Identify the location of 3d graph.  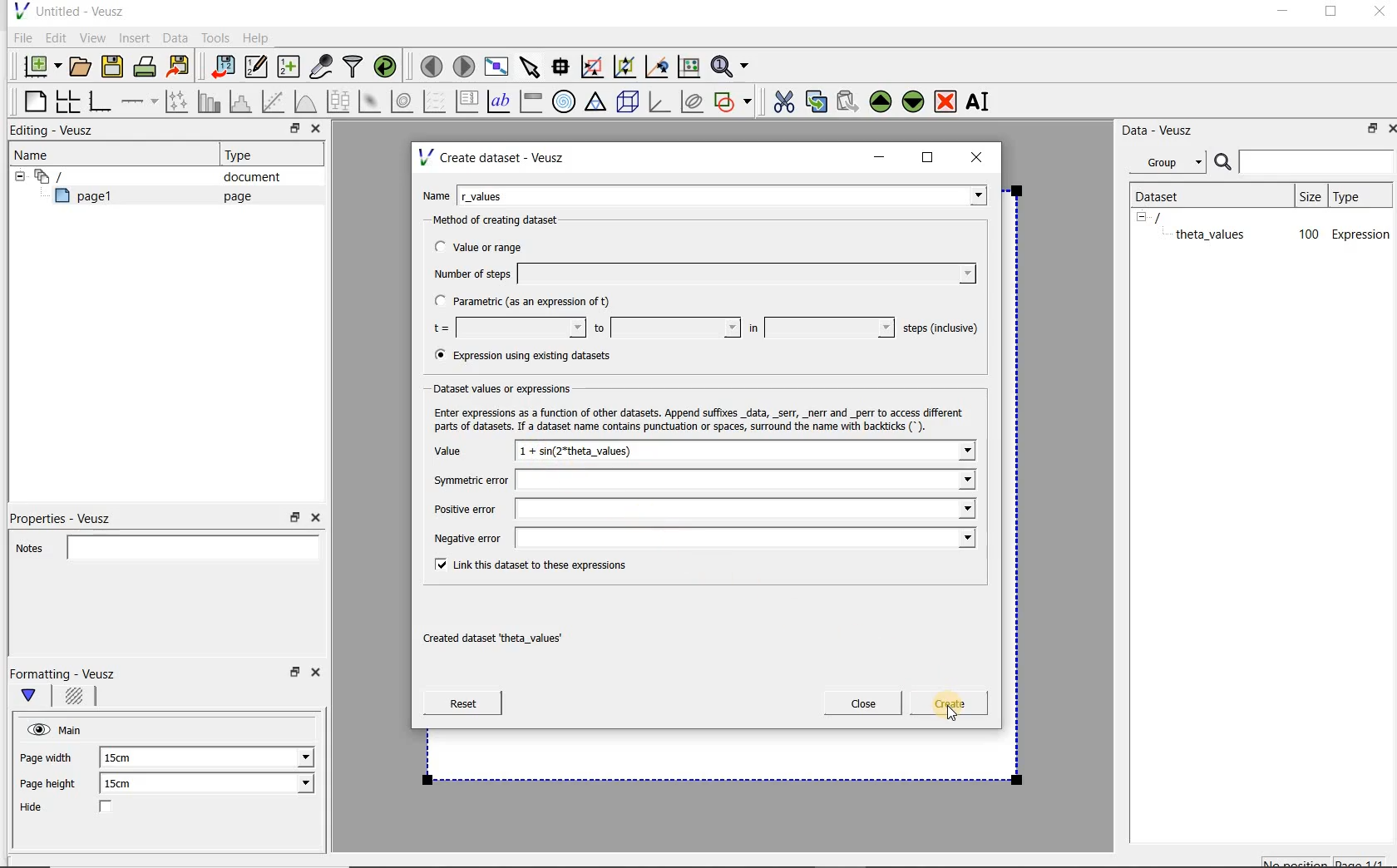
(660, 103).